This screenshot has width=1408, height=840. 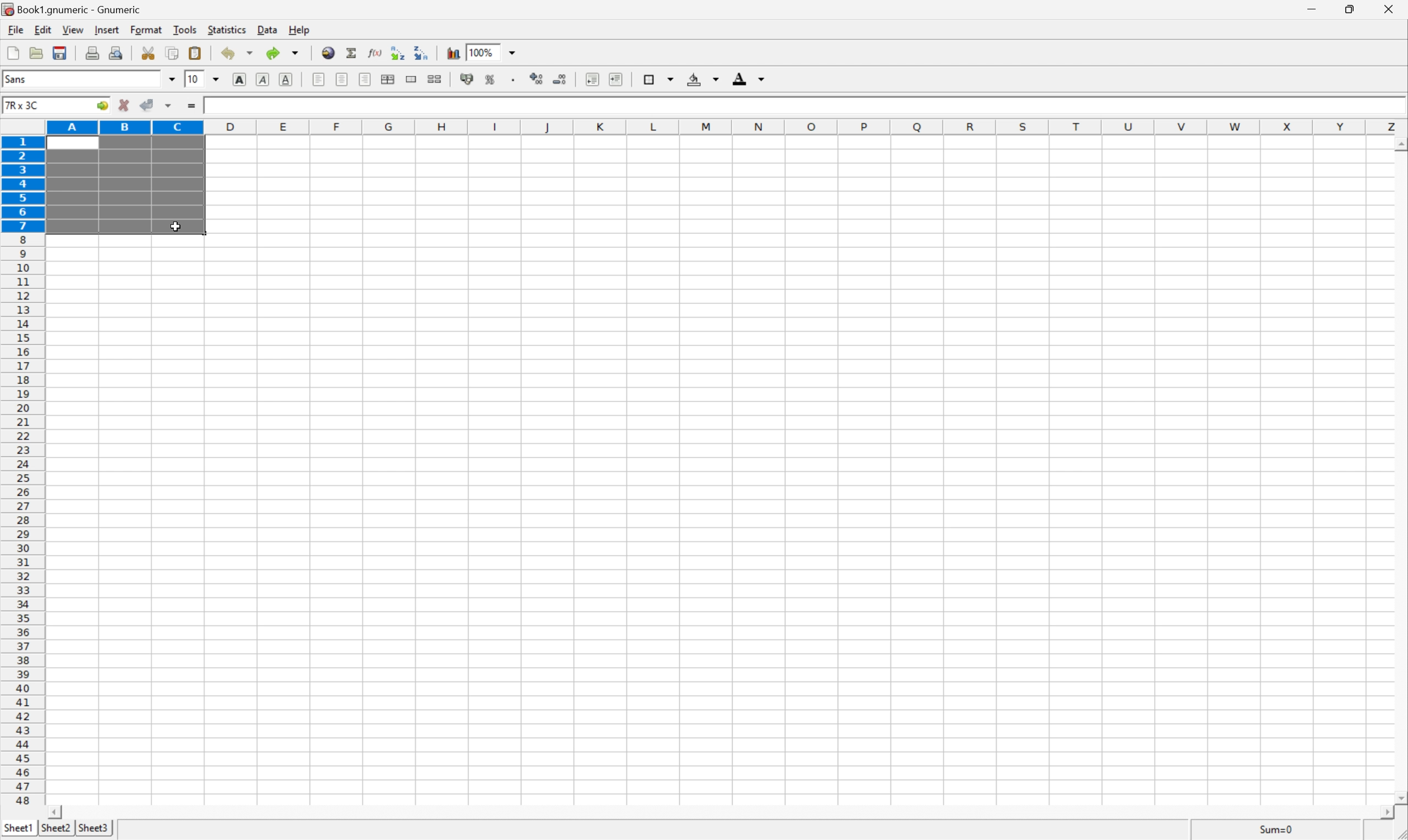 I want to click on bold, so click(x=241, y=79).